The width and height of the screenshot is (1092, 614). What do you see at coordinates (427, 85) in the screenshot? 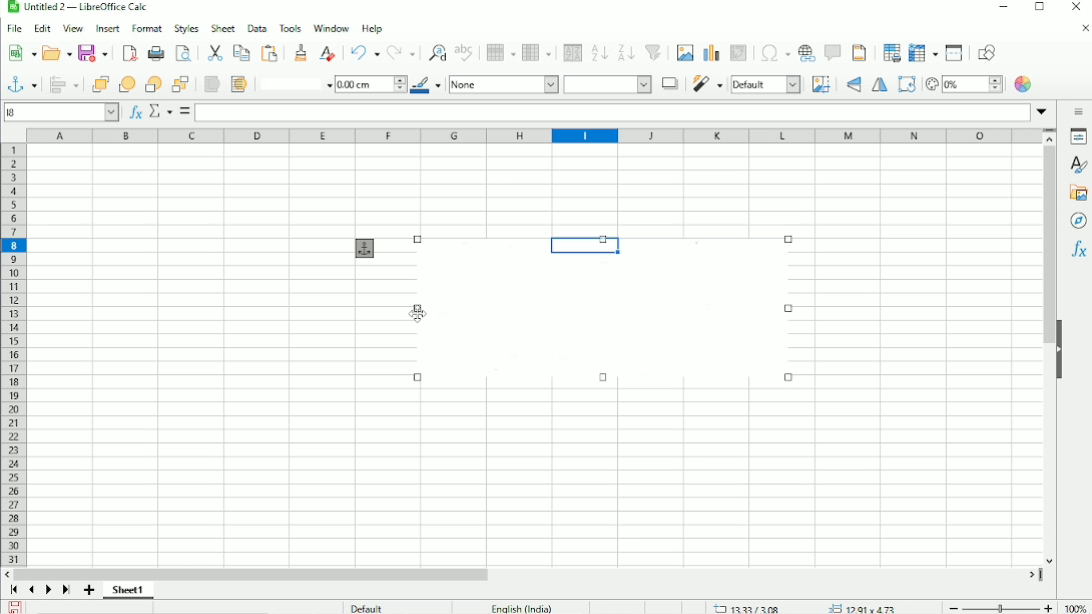
I see `Line color` at bounding box center [427, 85].